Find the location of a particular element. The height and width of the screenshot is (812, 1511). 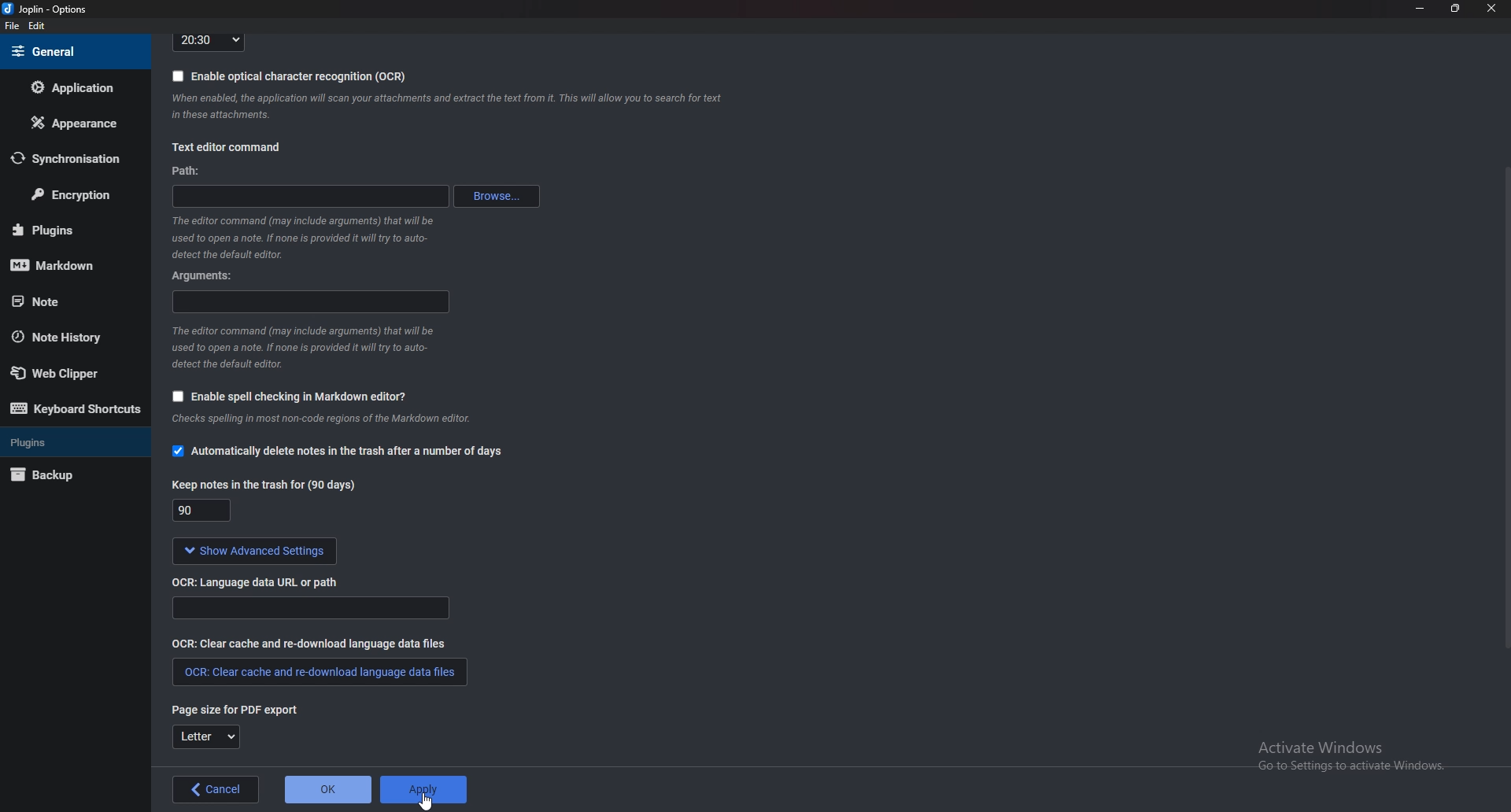

resize is located at coordinates (1454, 8).